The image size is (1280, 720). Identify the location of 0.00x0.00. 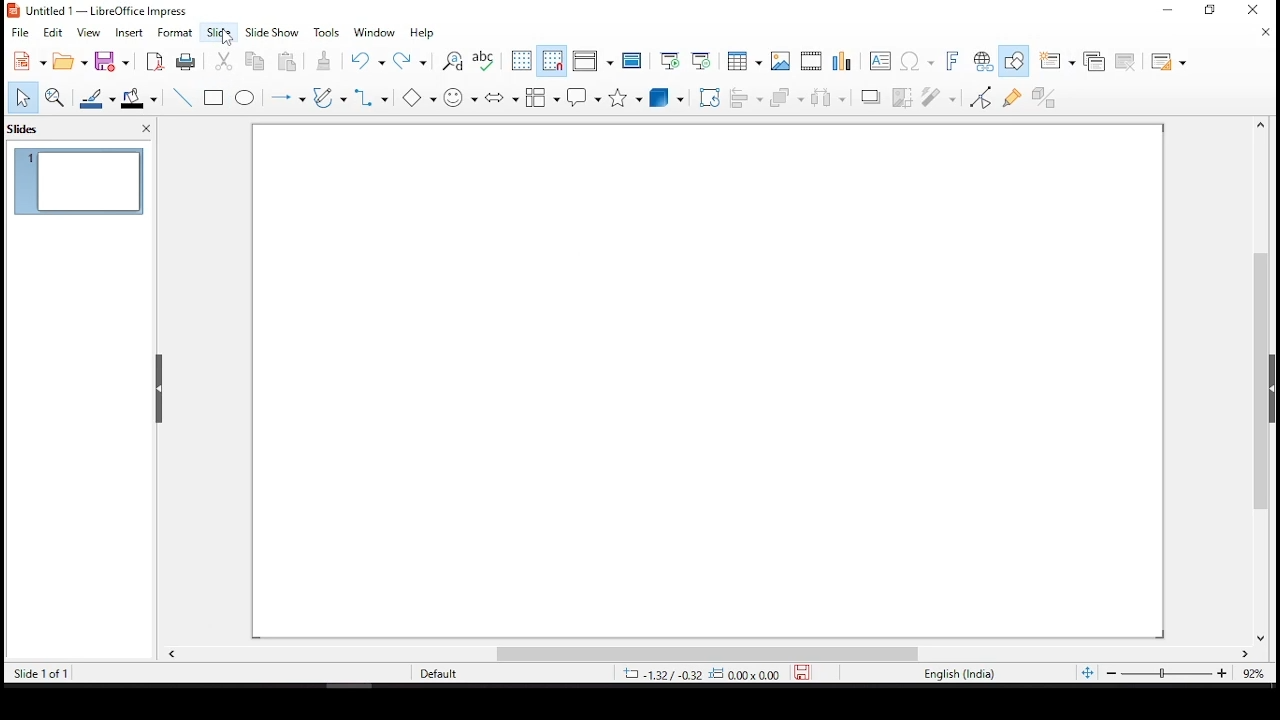
(749, 675).